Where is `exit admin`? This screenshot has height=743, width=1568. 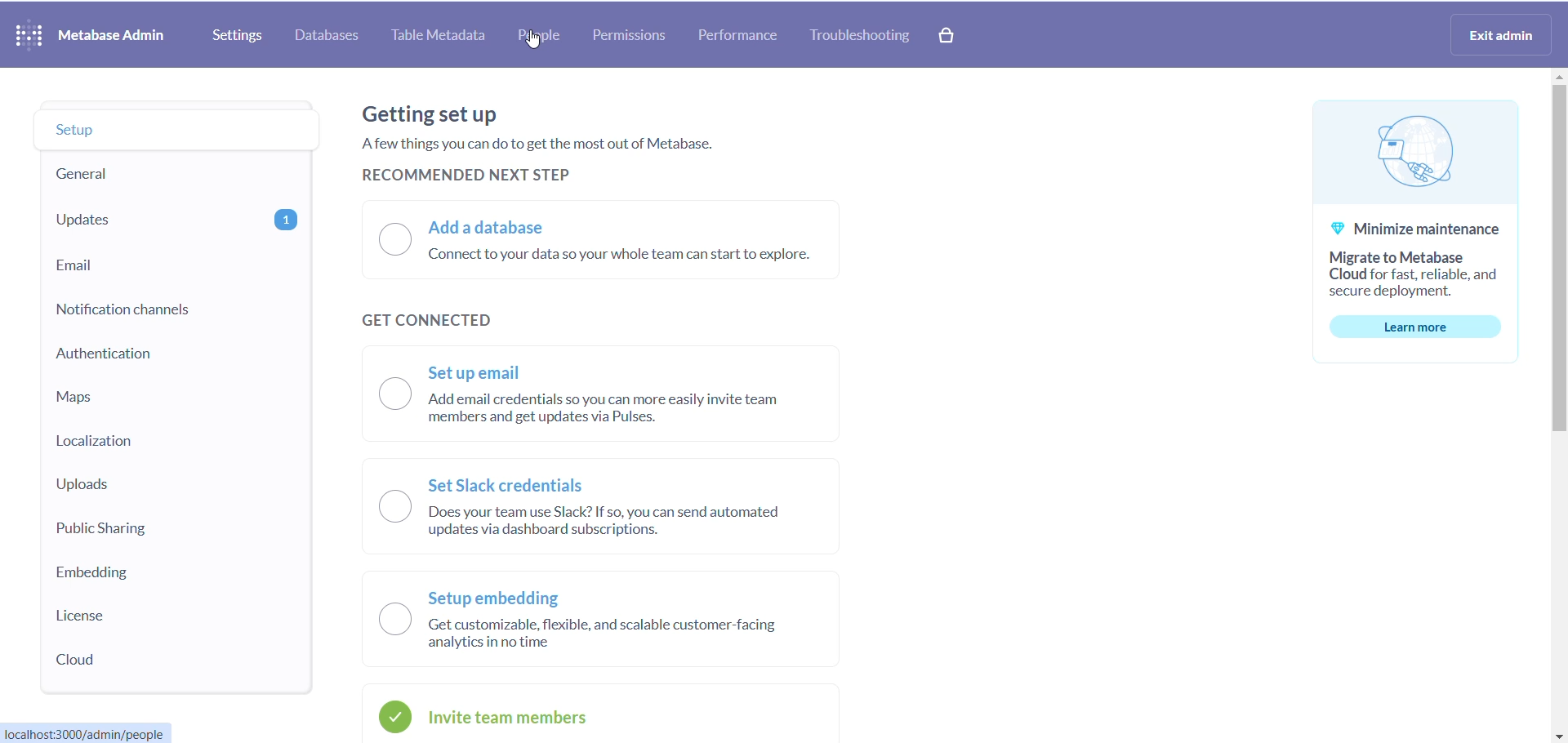 exit admin is located at coordinates (1502, 34).